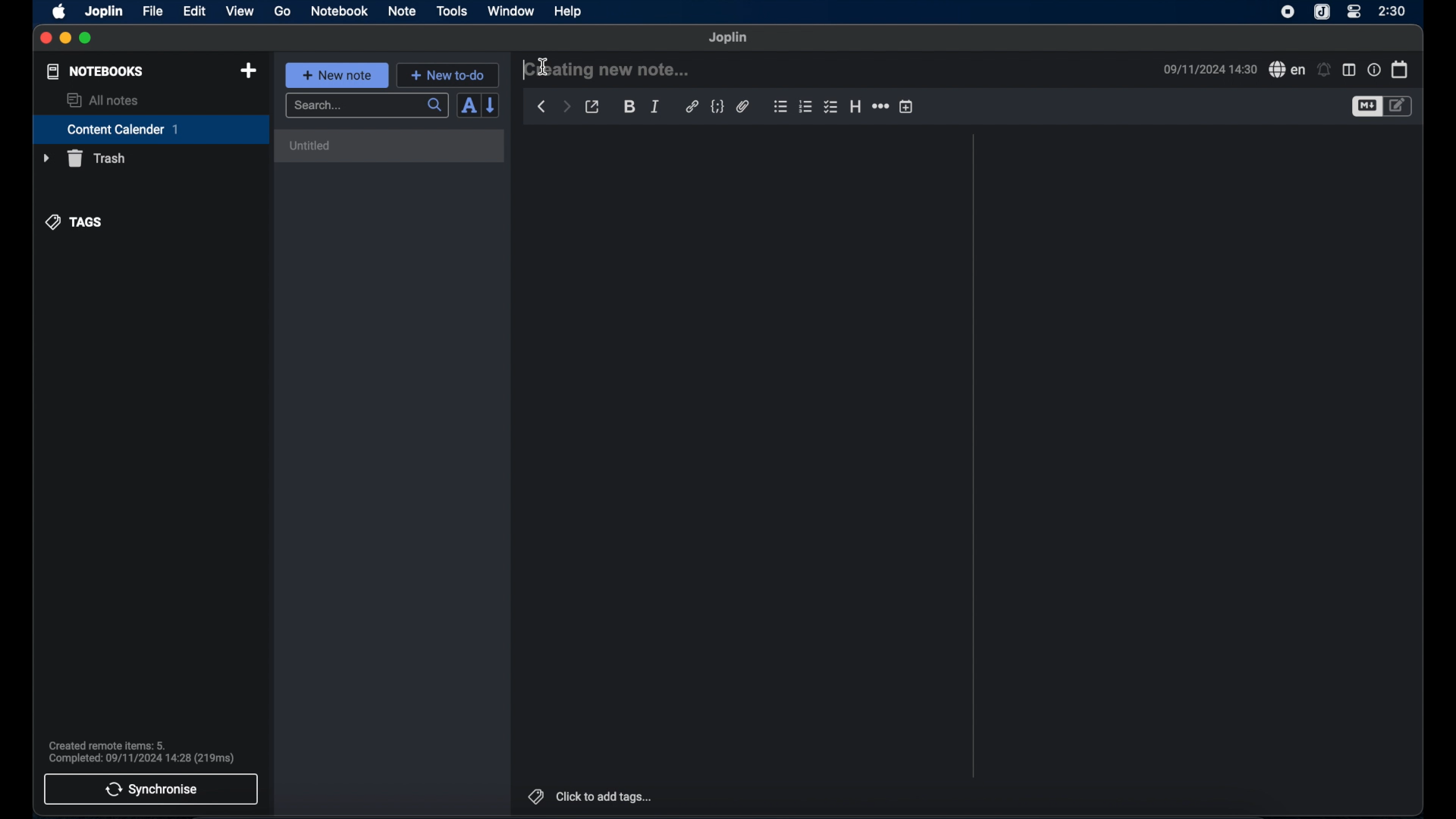  I want to click on apple icon, so click(60, 12).